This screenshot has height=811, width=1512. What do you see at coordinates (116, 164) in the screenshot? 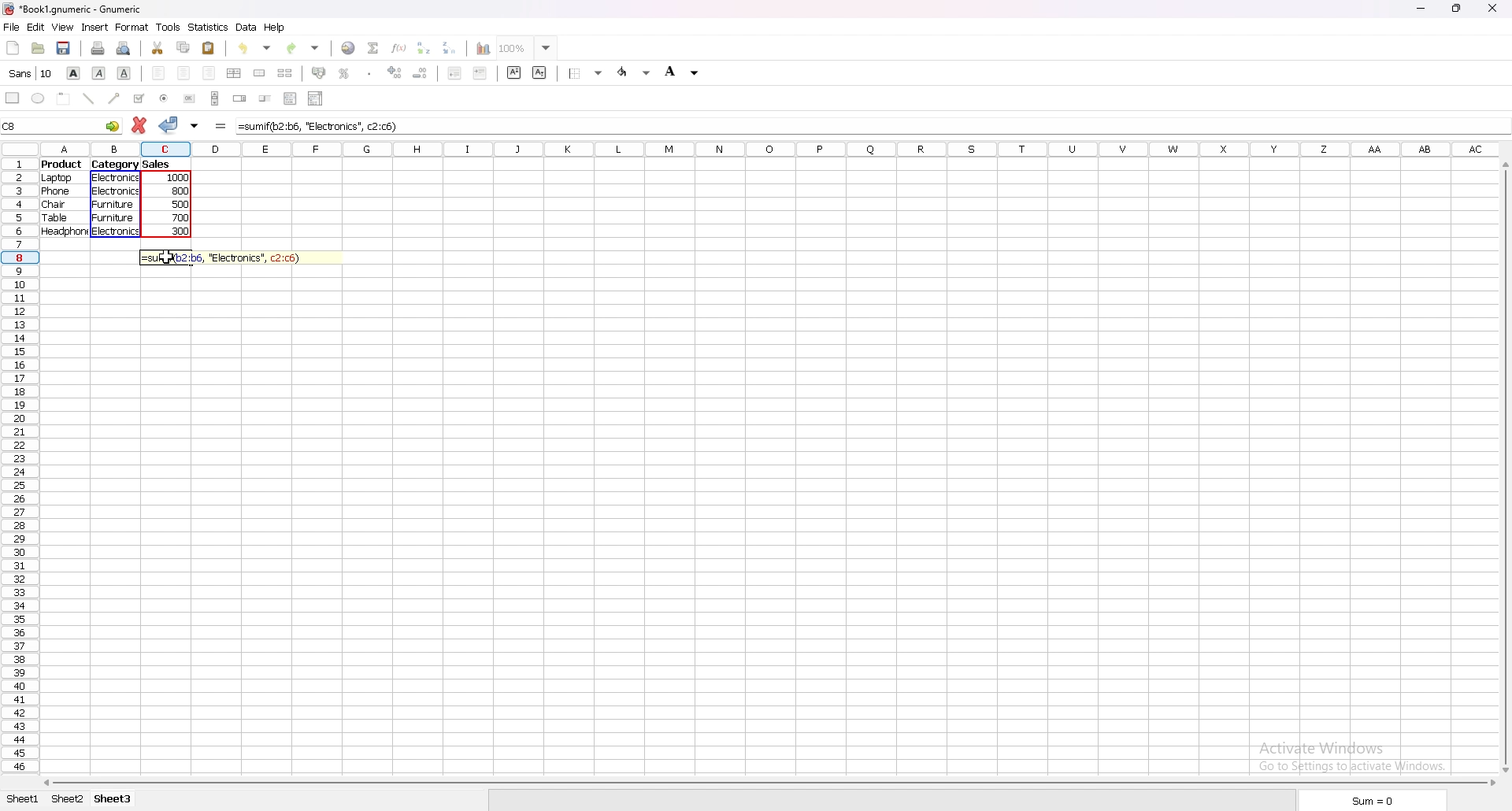
I see `category` at bounding box center [116, 164].